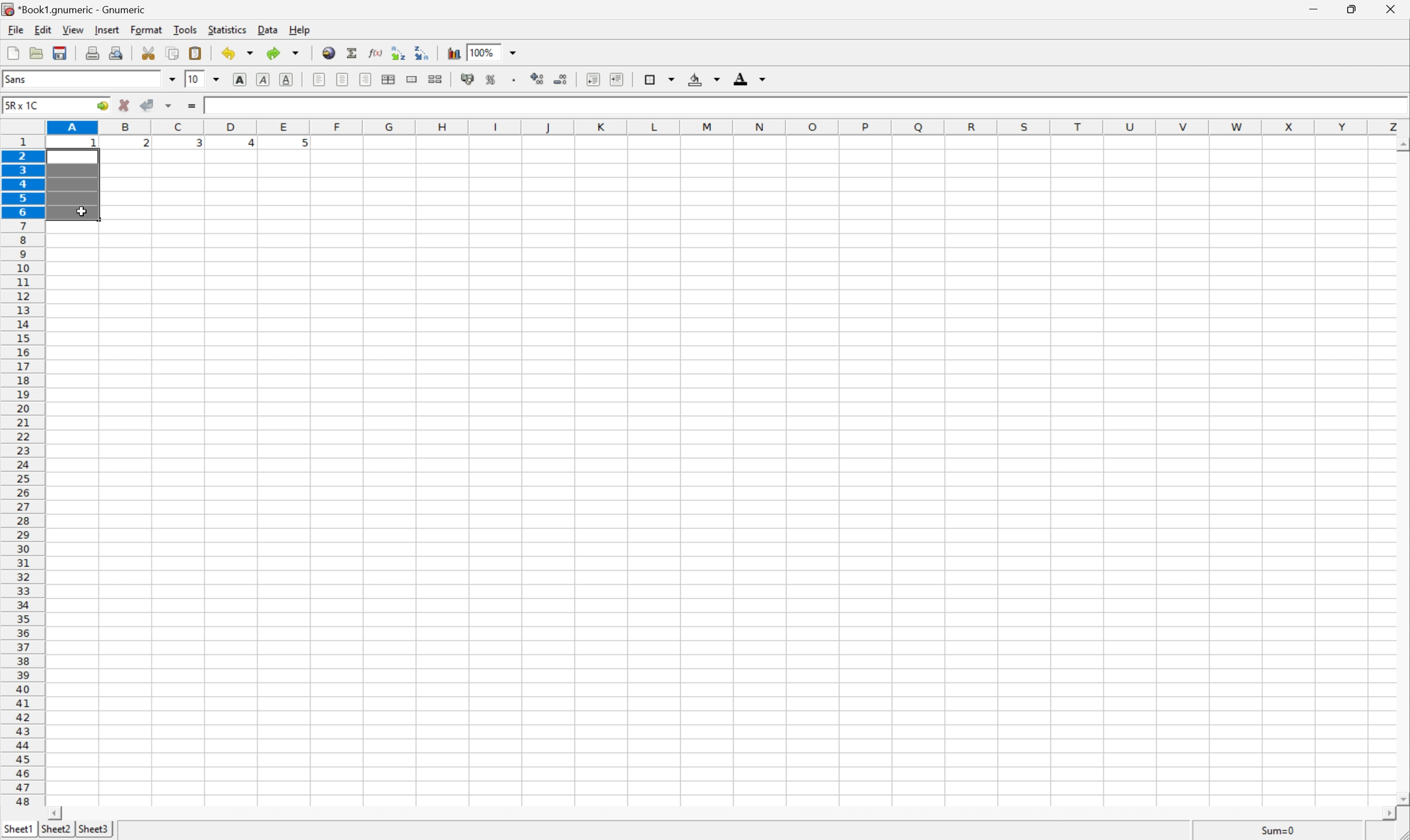 This screenshot has height=840, width=1410. Describe the element at coordinates (186, 30) in the screenshot. I see `tools` at that location.